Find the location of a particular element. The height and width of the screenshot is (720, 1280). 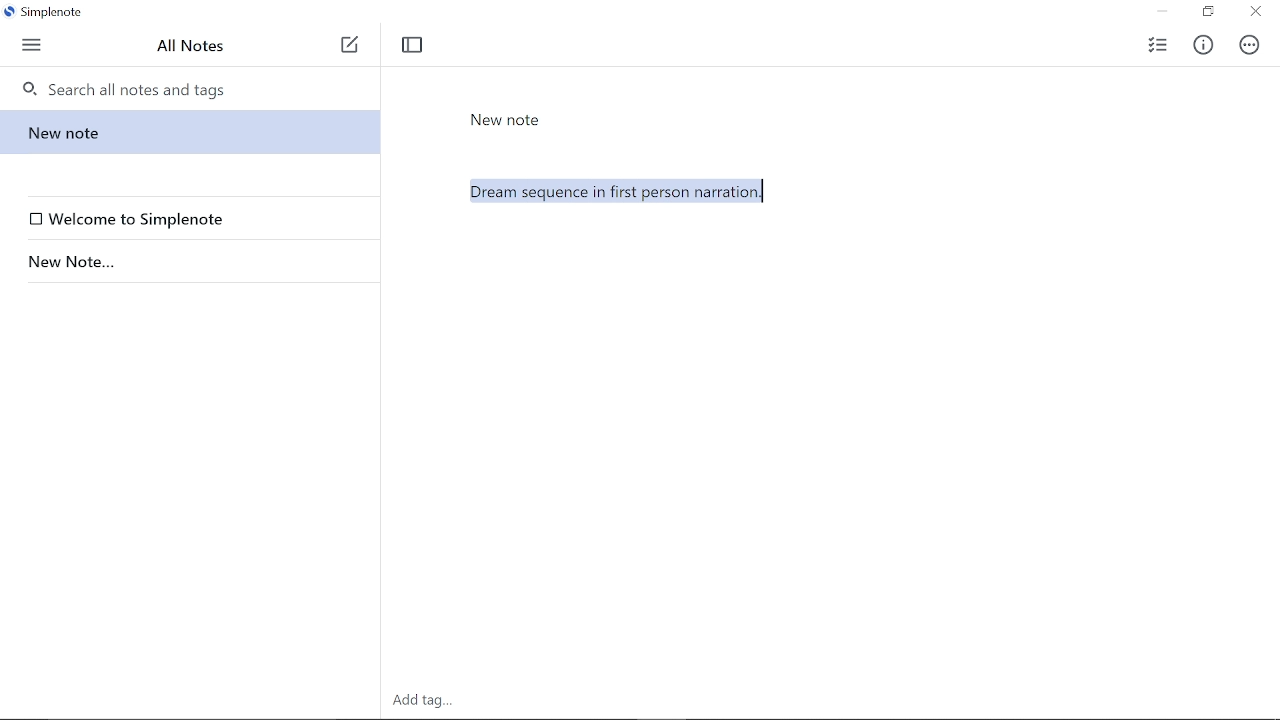

Menu is located at coordinates (33, 43).